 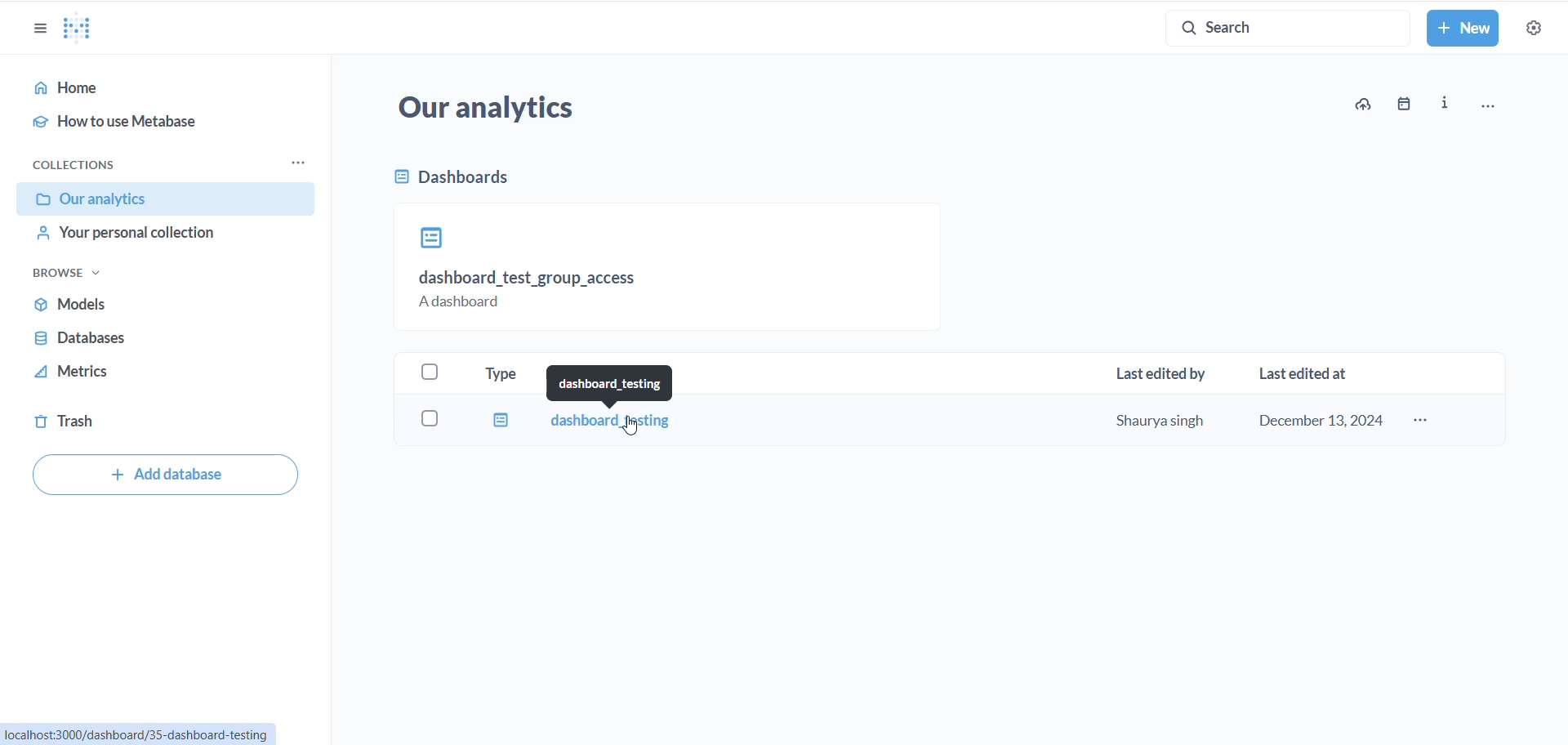 What do you see at coordinates (430, 238) in the screenshot?
I see `dashboard icon` at bounding box center [430, 238].